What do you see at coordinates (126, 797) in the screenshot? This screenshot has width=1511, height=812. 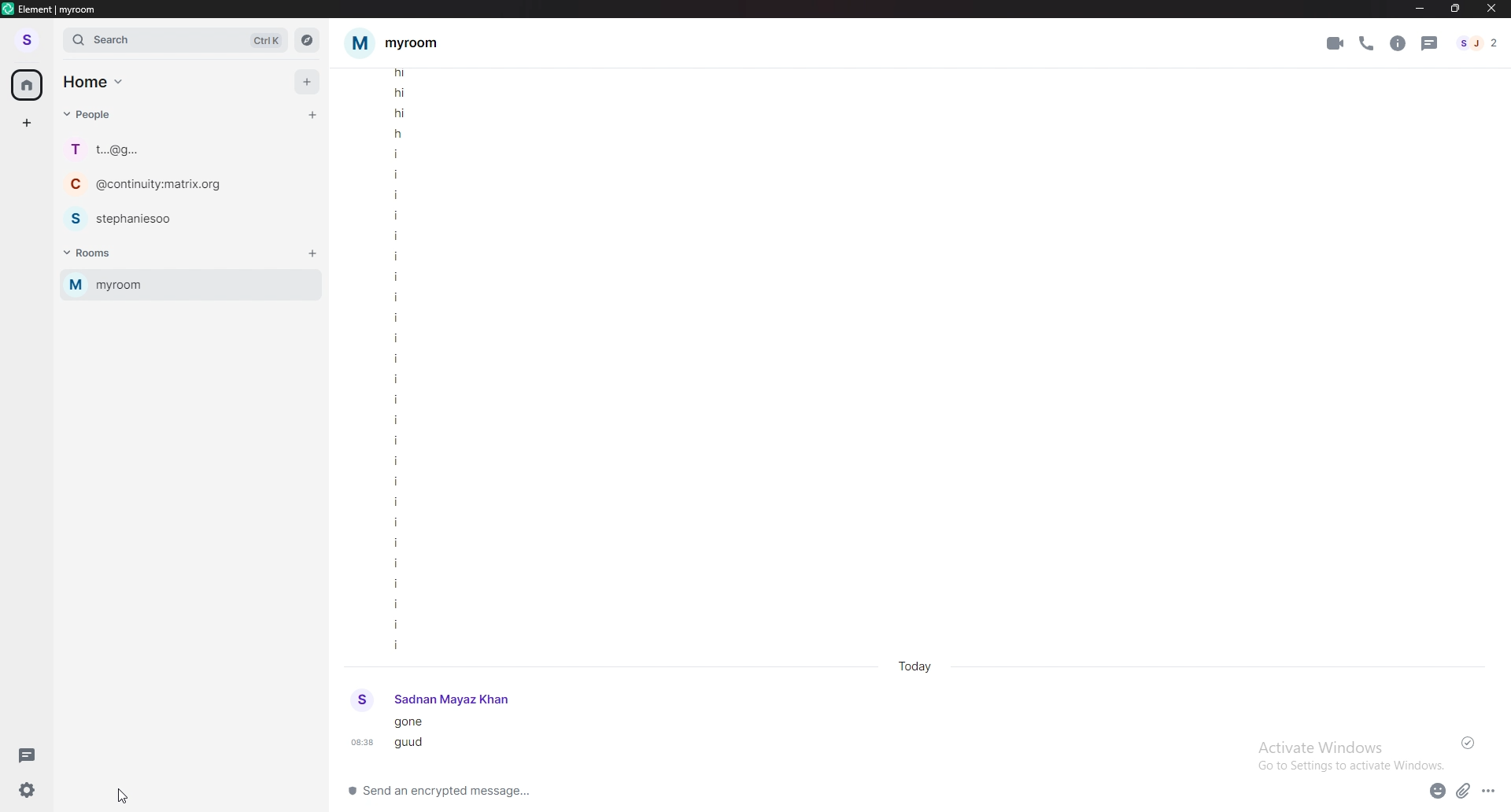 I see `cursor` at bounding box center [126, 797].